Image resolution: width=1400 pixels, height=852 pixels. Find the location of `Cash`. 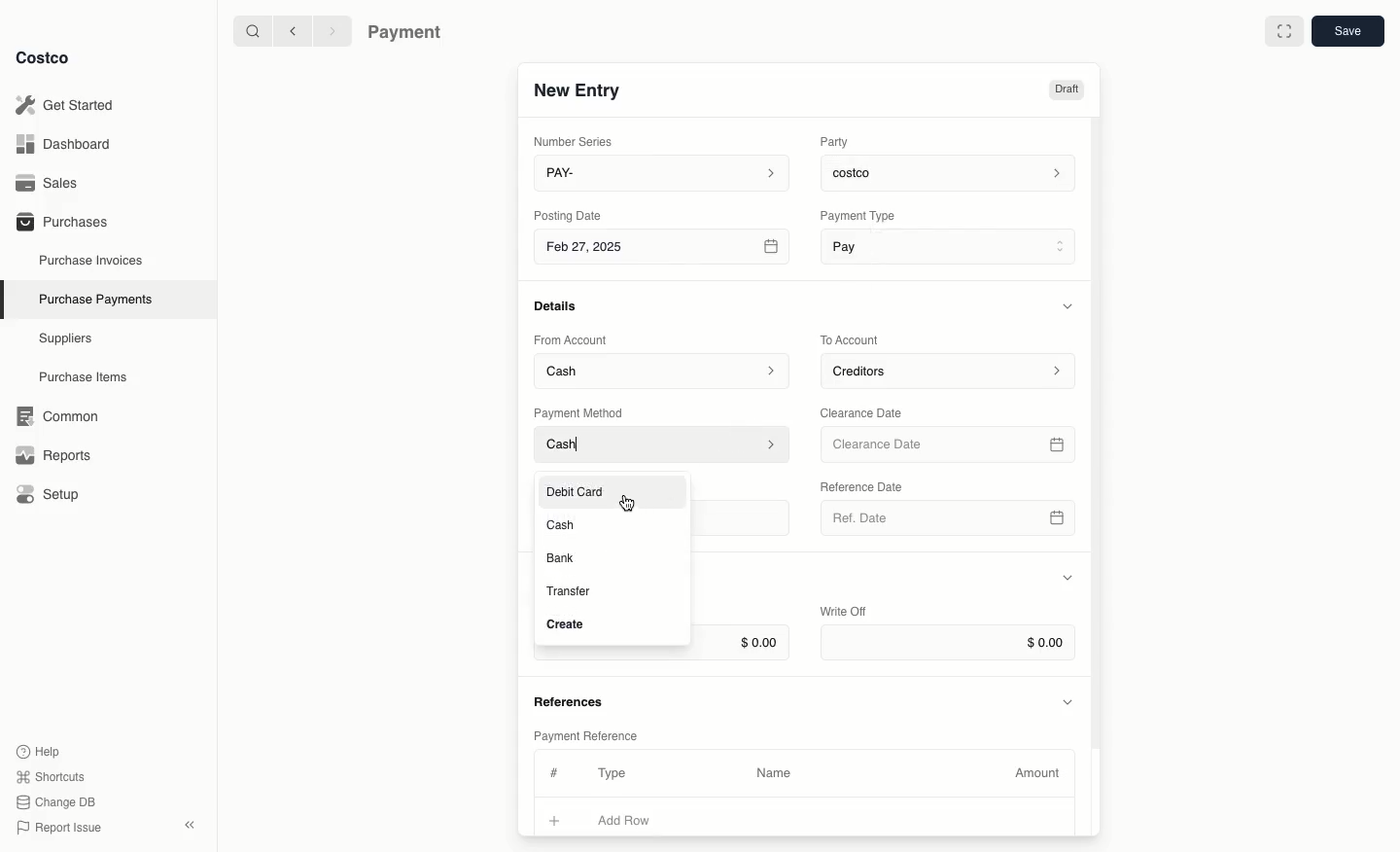

Cash is located at coordinates (663, 445).